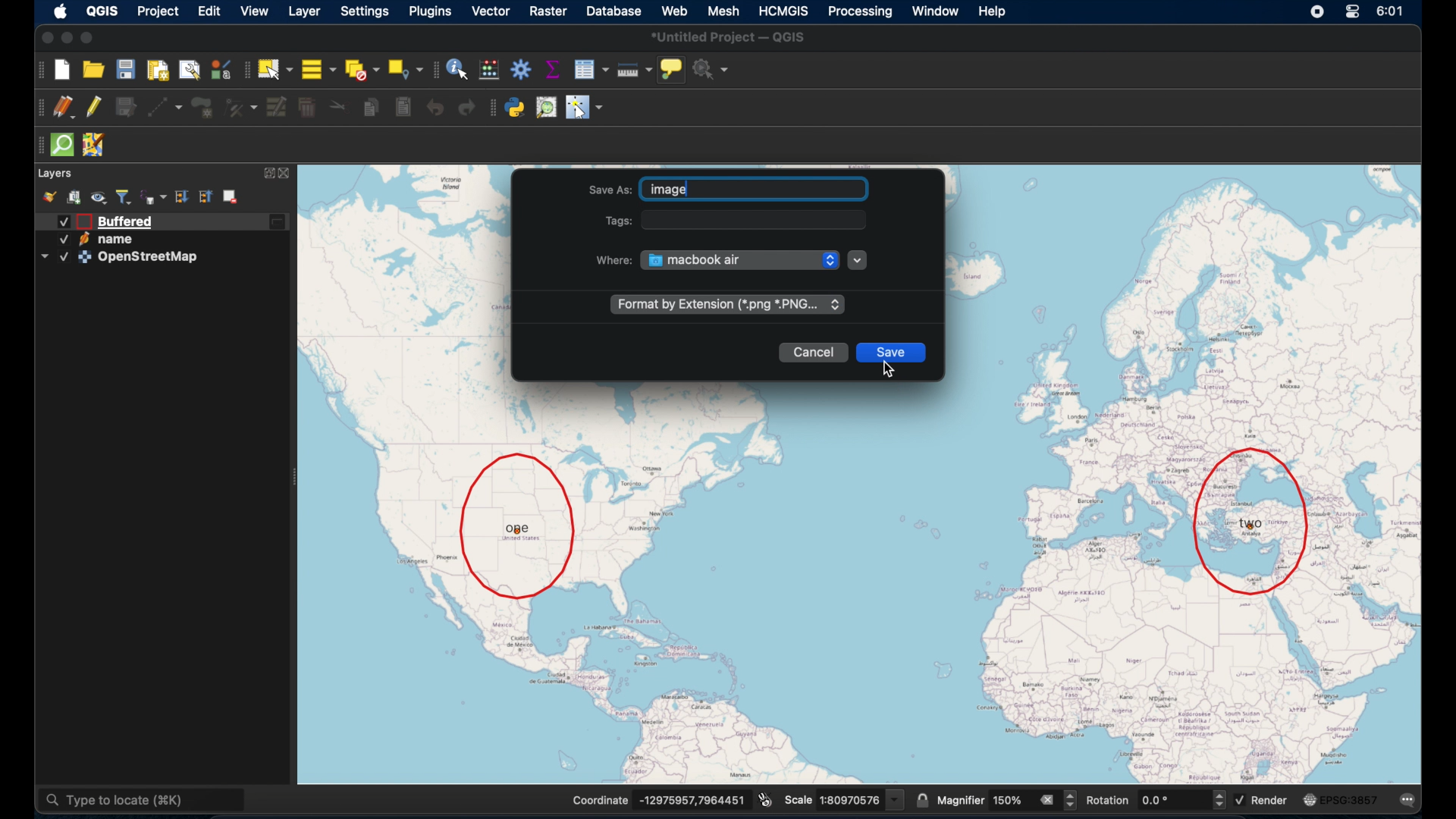  I want to click on plugins, so click(430, 11).